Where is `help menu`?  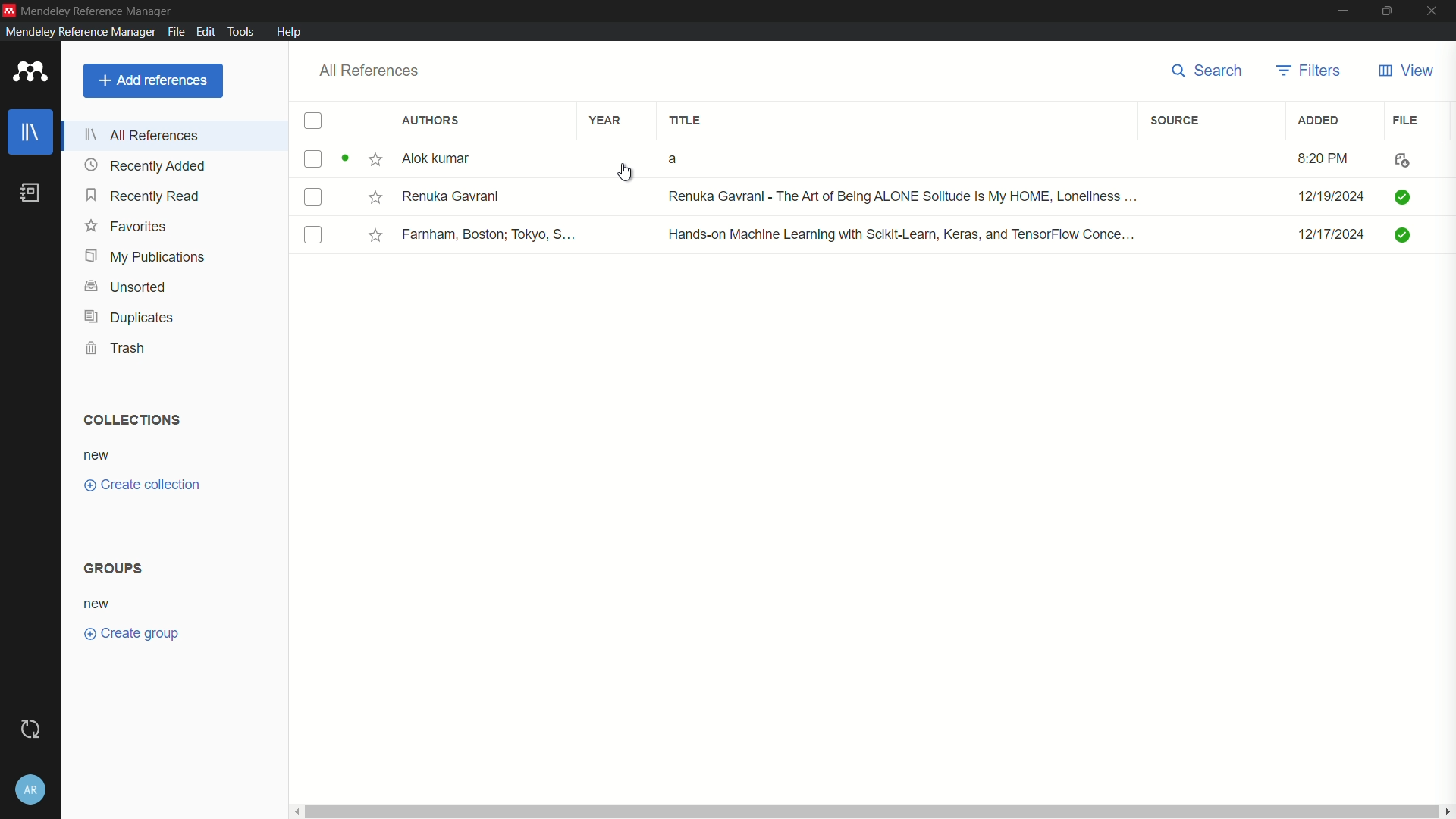
help menu is located at coordinates (288, 32).